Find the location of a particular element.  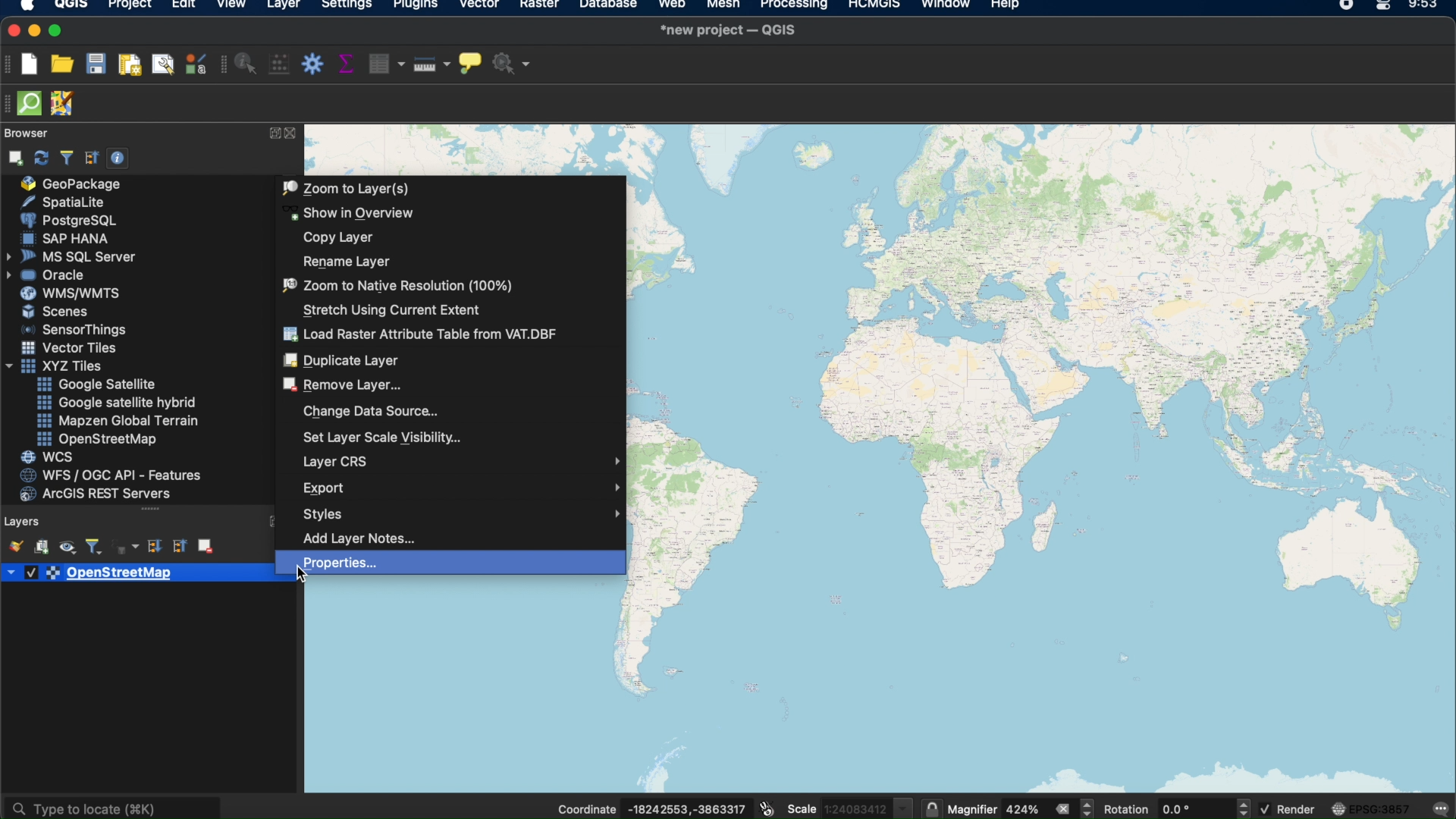

messages is located at coordinates (1442, 807).